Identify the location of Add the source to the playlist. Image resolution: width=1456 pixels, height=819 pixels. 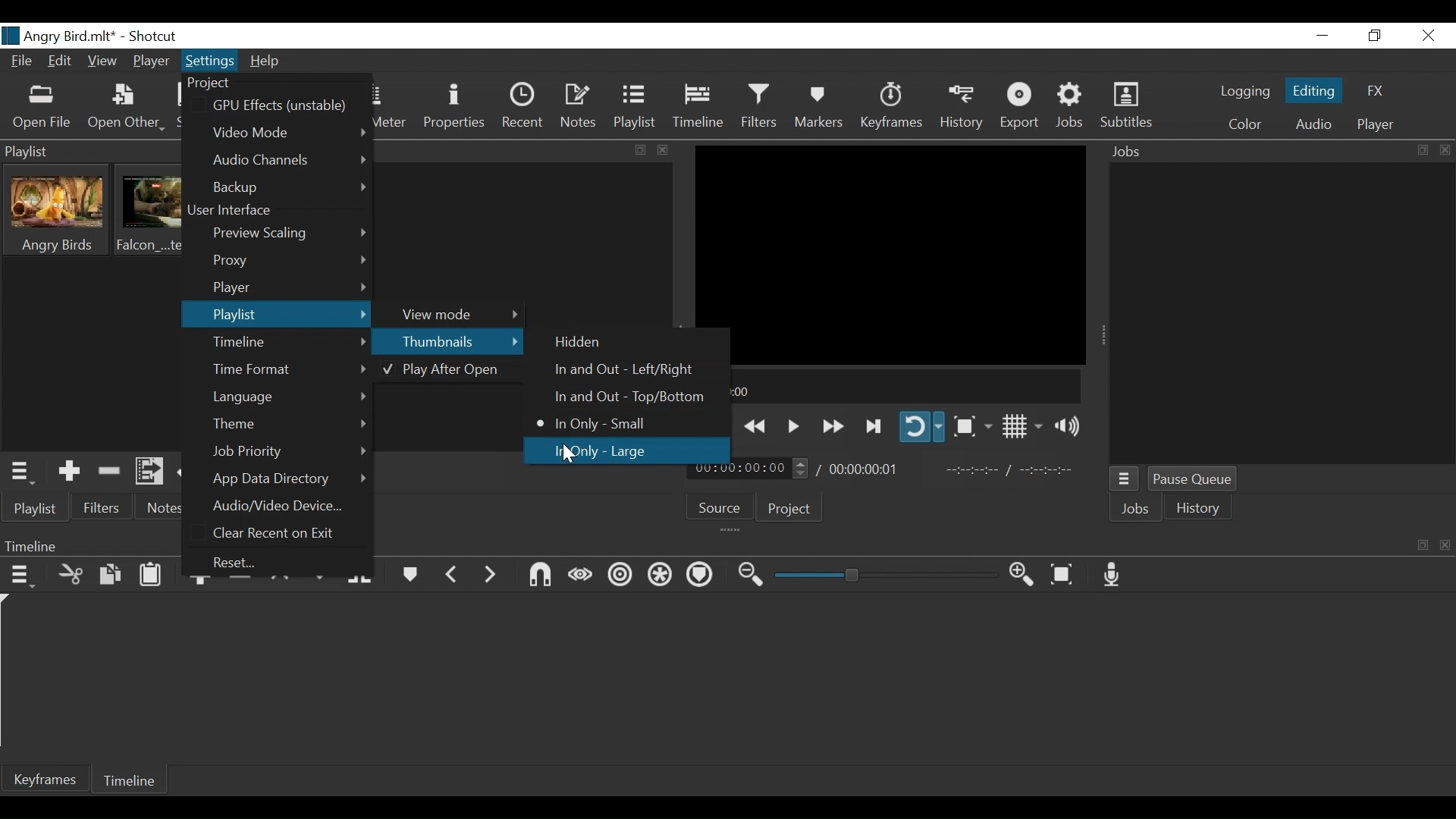
(69, 472).